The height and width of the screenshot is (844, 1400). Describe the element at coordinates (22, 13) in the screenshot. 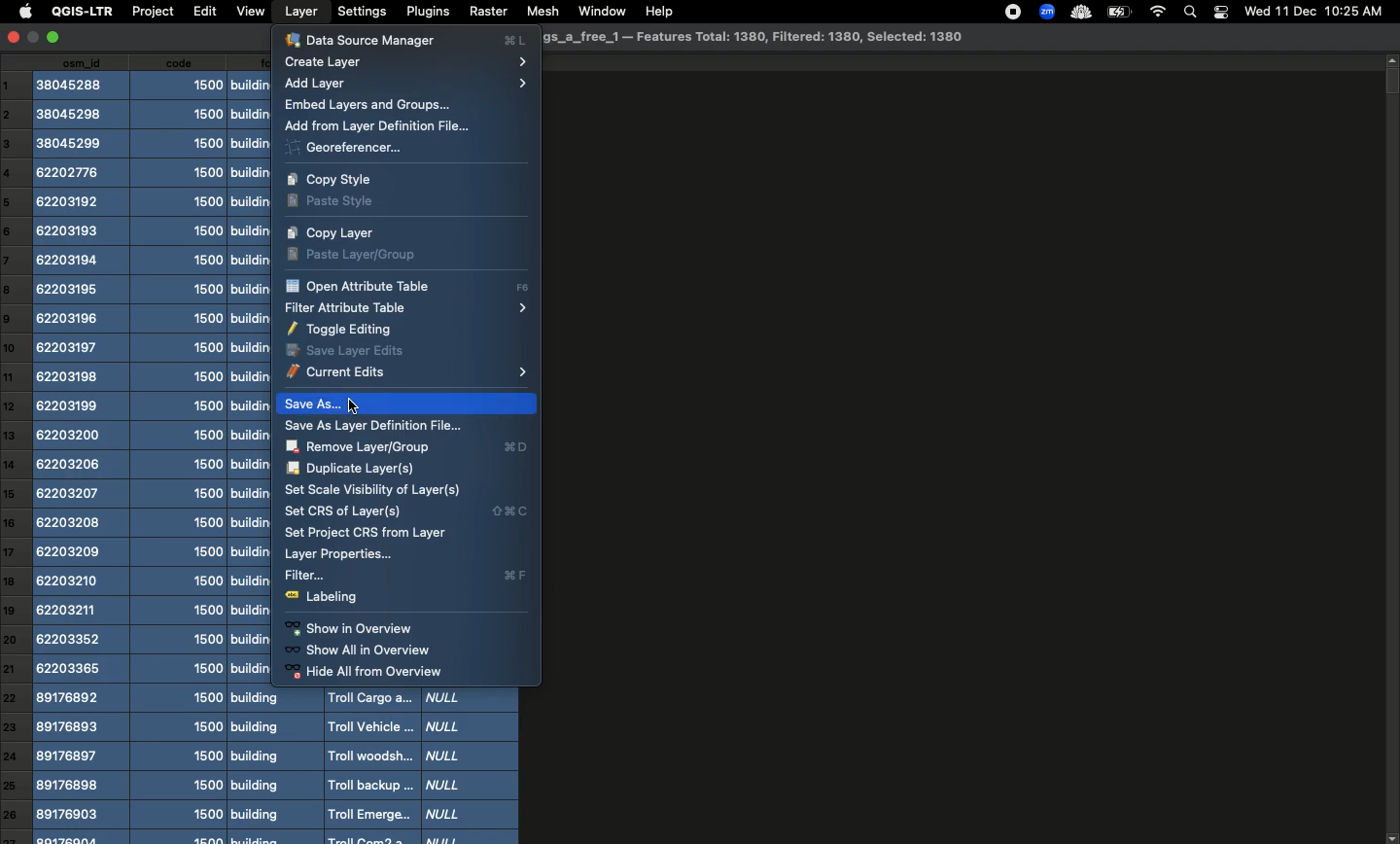

I see `Apple` at that location.